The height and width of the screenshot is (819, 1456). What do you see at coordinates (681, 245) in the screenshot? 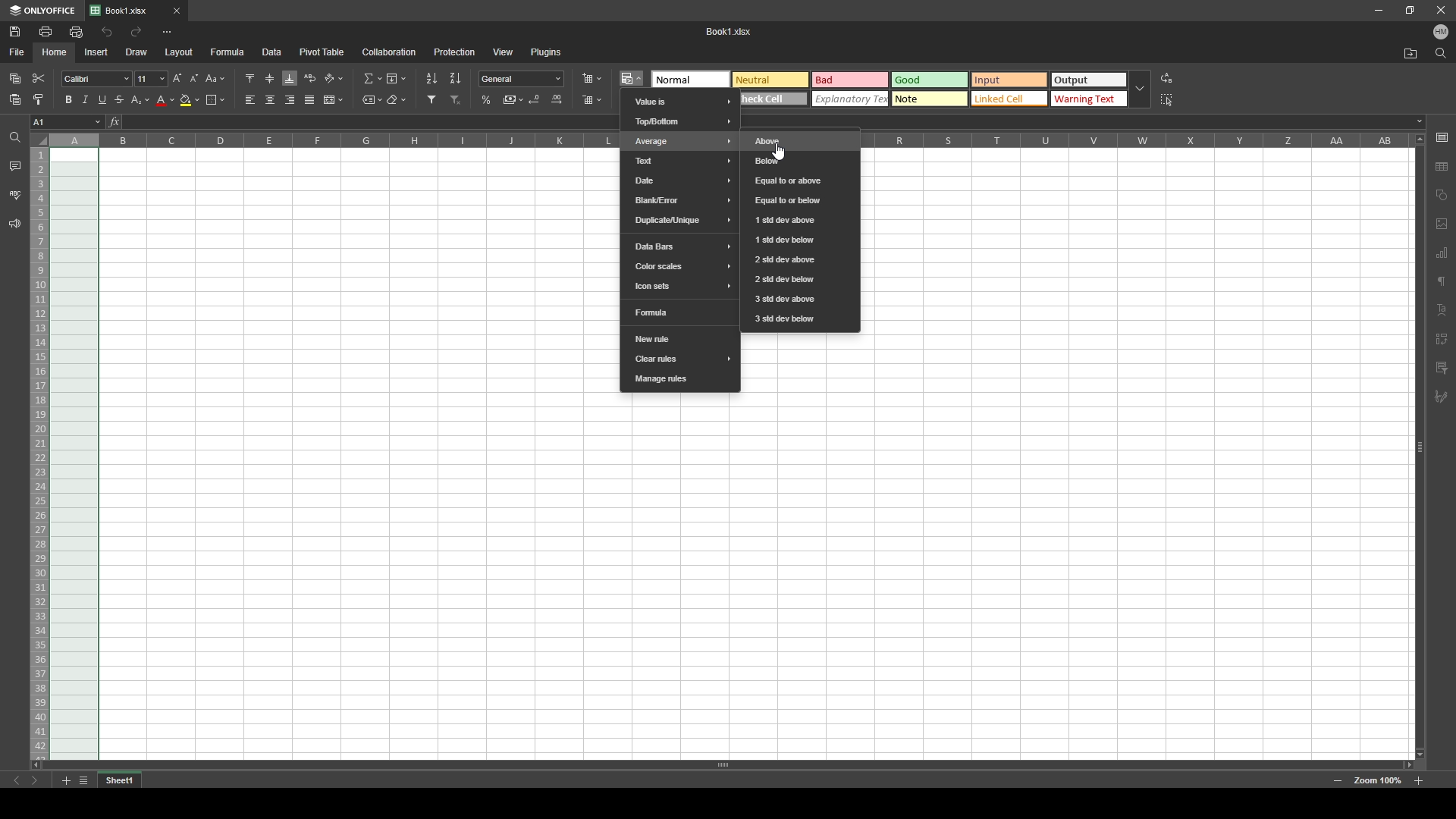
I see `data bars` at bounding box center [681, 245].